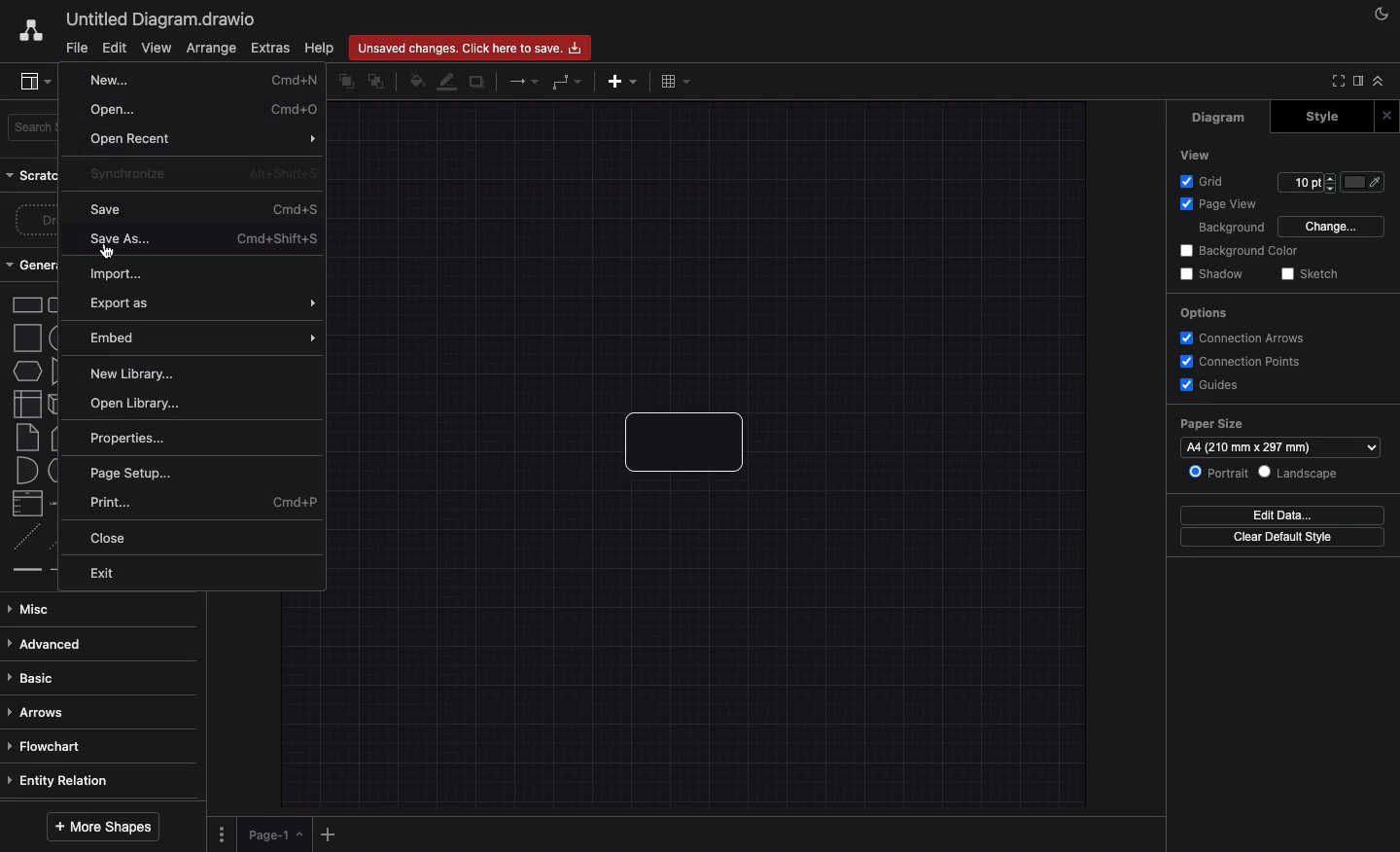 The image size is (1400, 852). Describe the element at coordinates (107, 574) in the screenshot. I see `Exit` at that location.